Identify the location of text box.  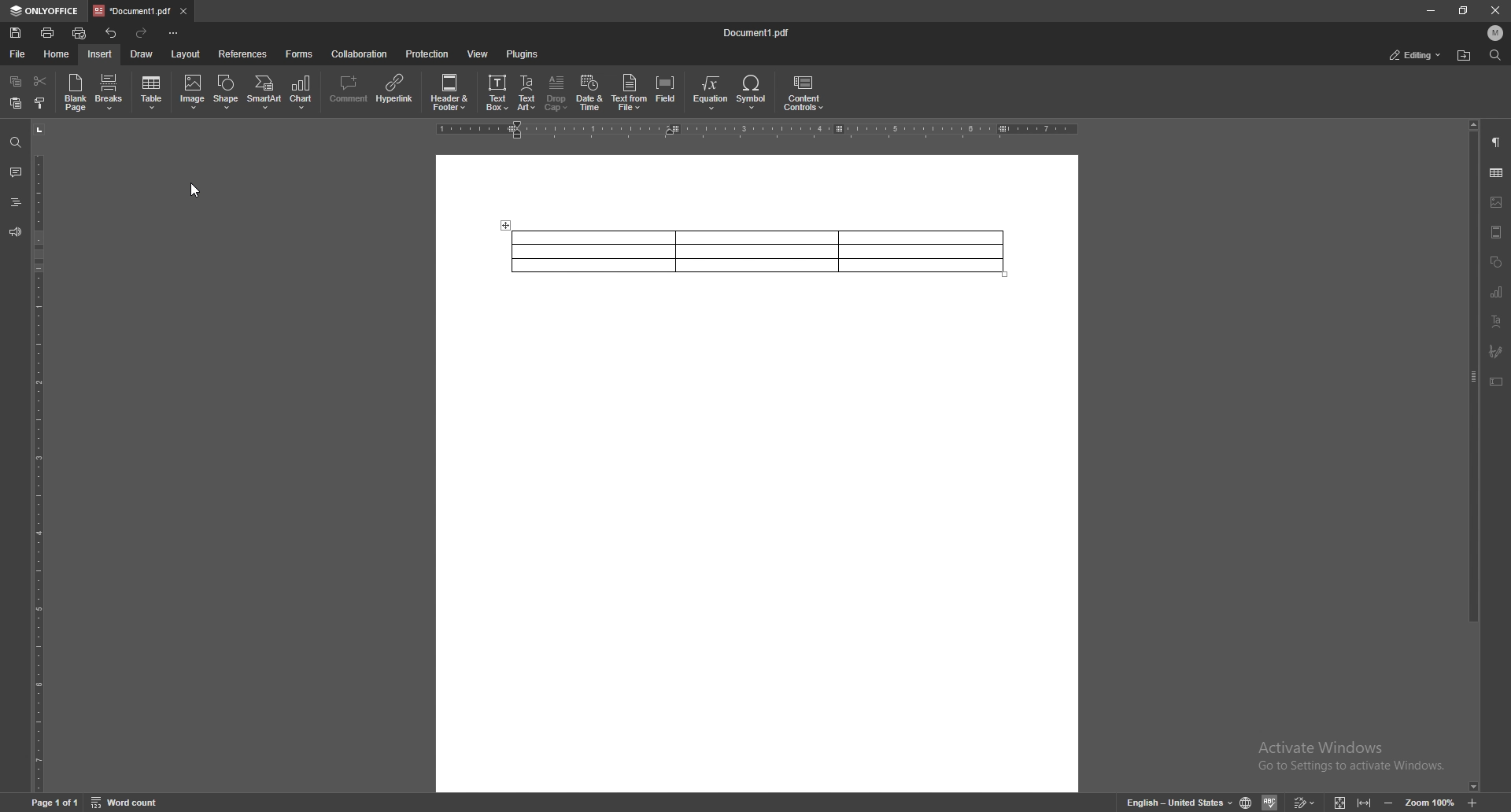
(496, 94).